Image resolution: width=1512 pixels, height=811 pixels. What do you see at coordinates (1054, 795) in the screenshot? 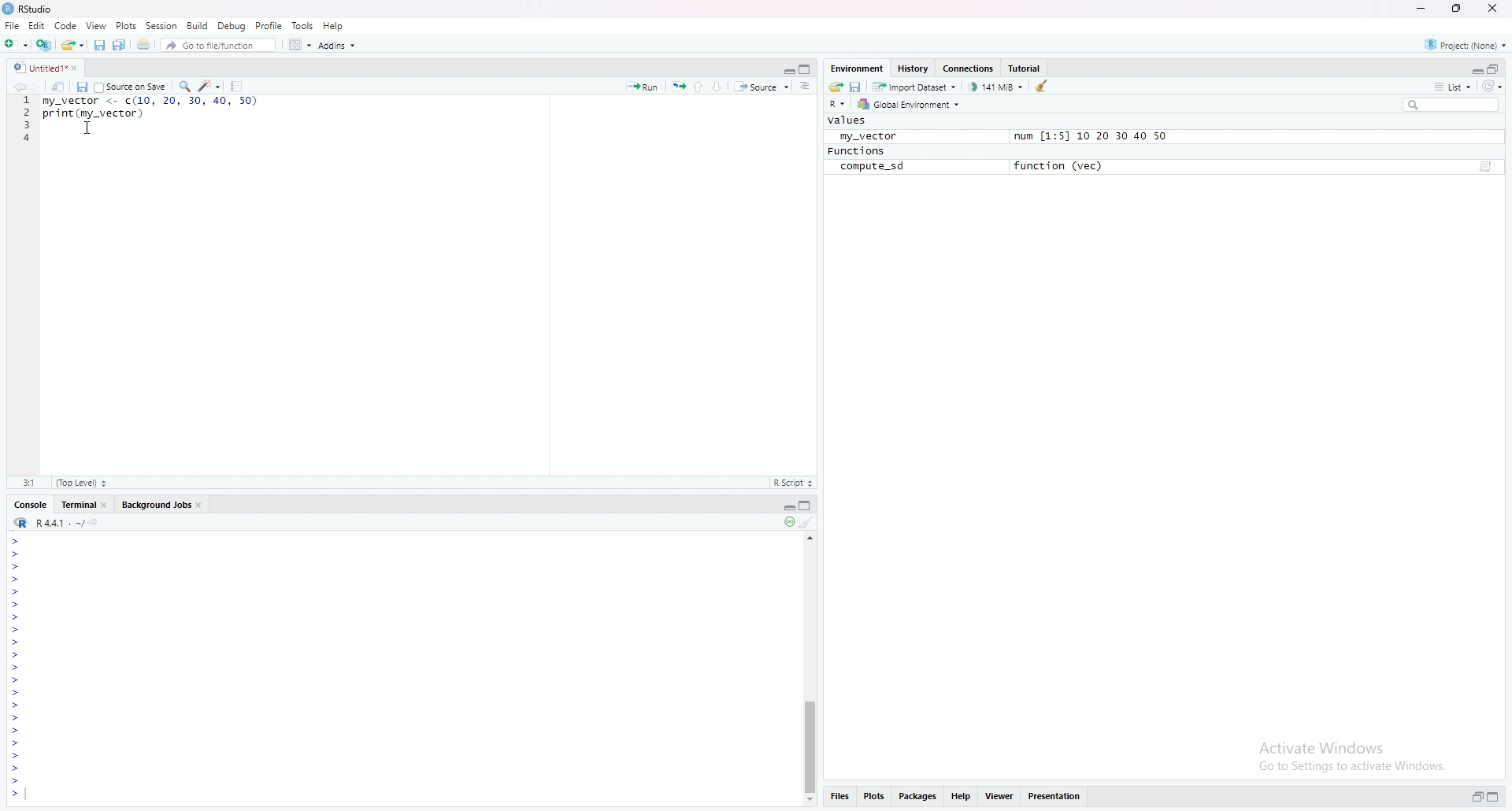
I see `Presentation` at bounding box center [1054, 795].